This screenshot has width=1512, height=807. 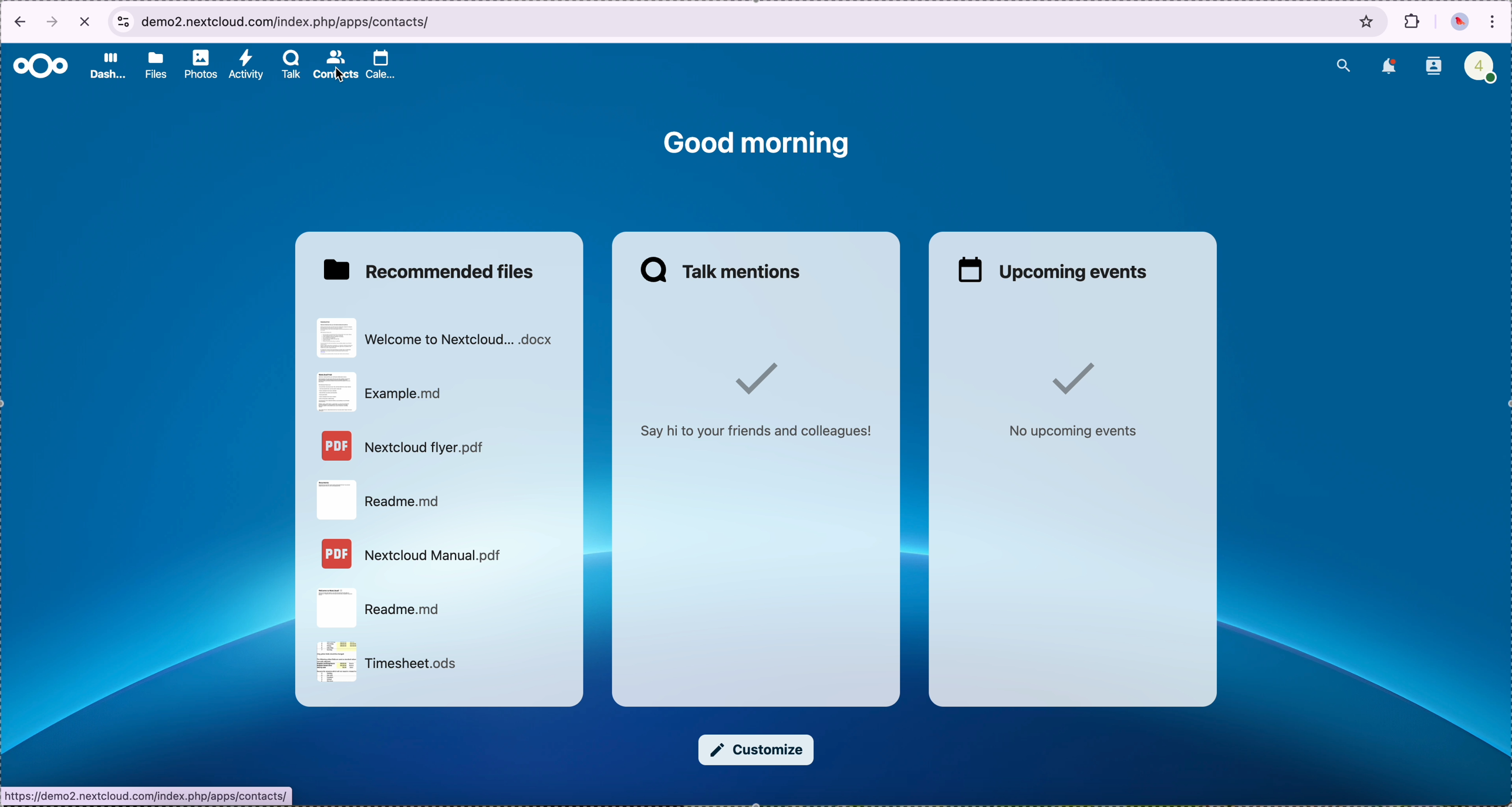 What do you see at coordinates (764, 398) in the screenshot?
I see `say hi to your friends` at bounding box center [764, 398].